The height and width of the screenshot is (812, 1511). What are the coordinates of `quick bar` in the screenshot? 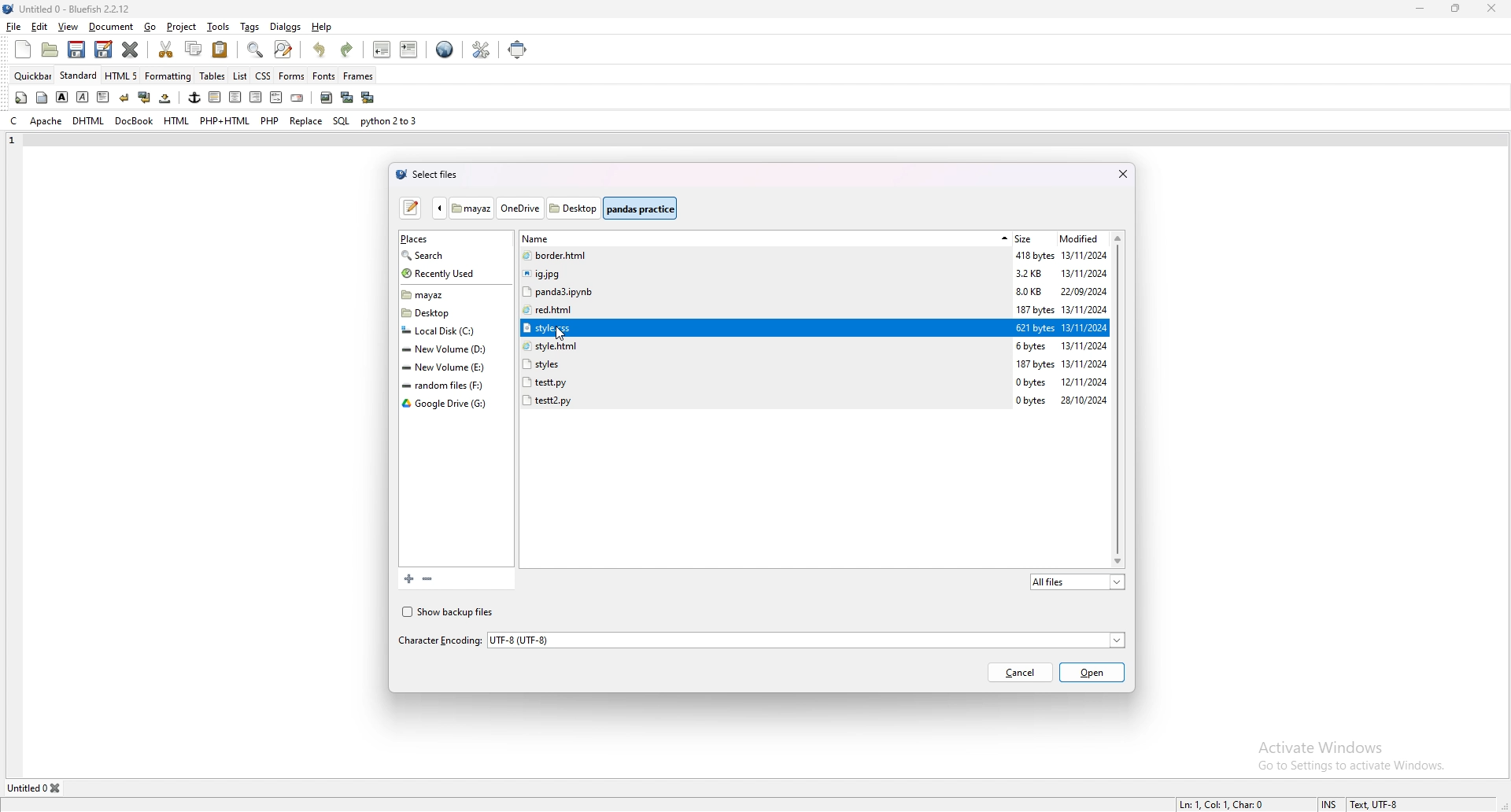 It's located at (34, 76).